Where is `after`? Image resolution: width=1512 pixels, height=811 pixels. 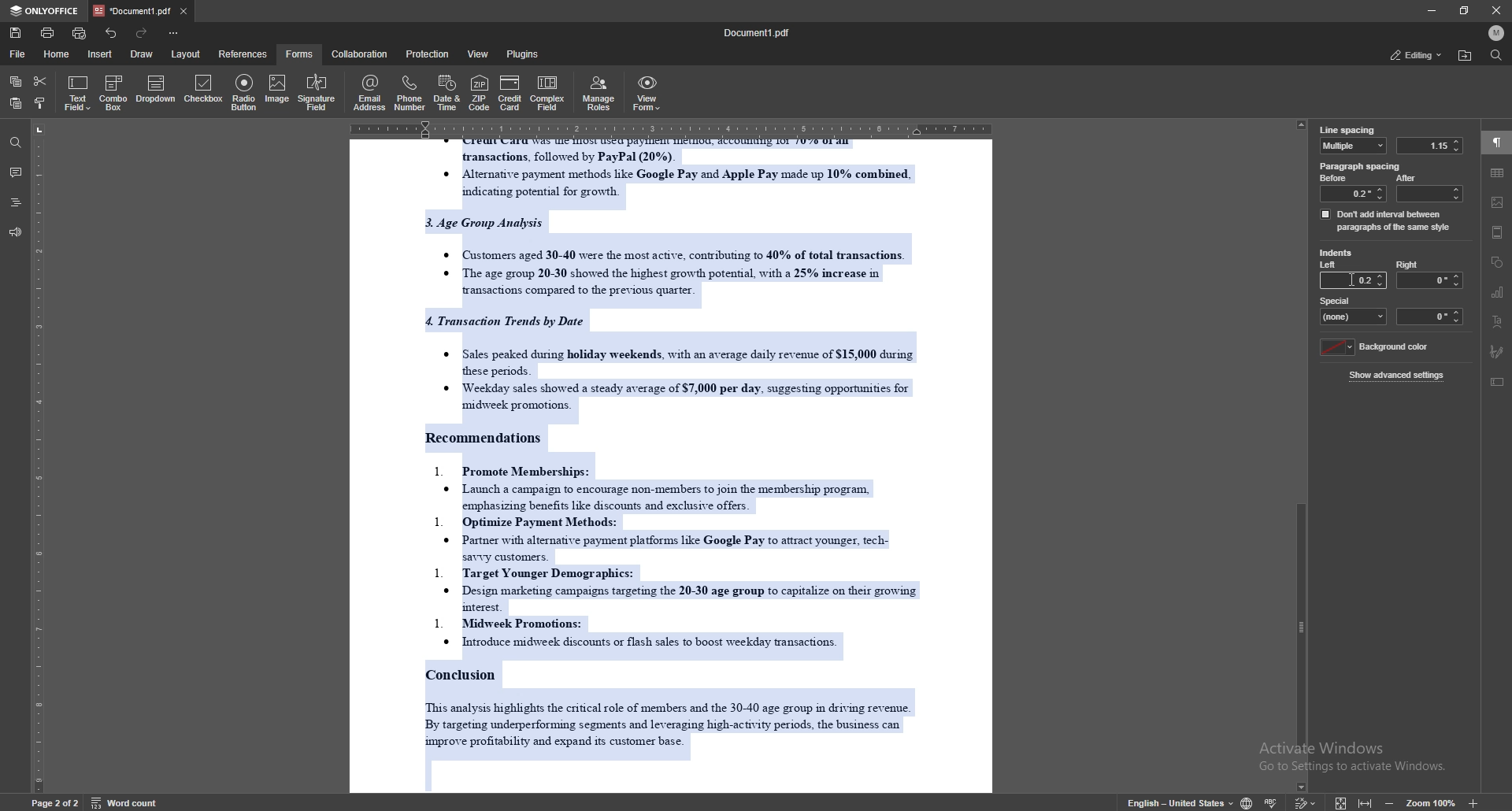 after is located at coordinates (1428, 187).